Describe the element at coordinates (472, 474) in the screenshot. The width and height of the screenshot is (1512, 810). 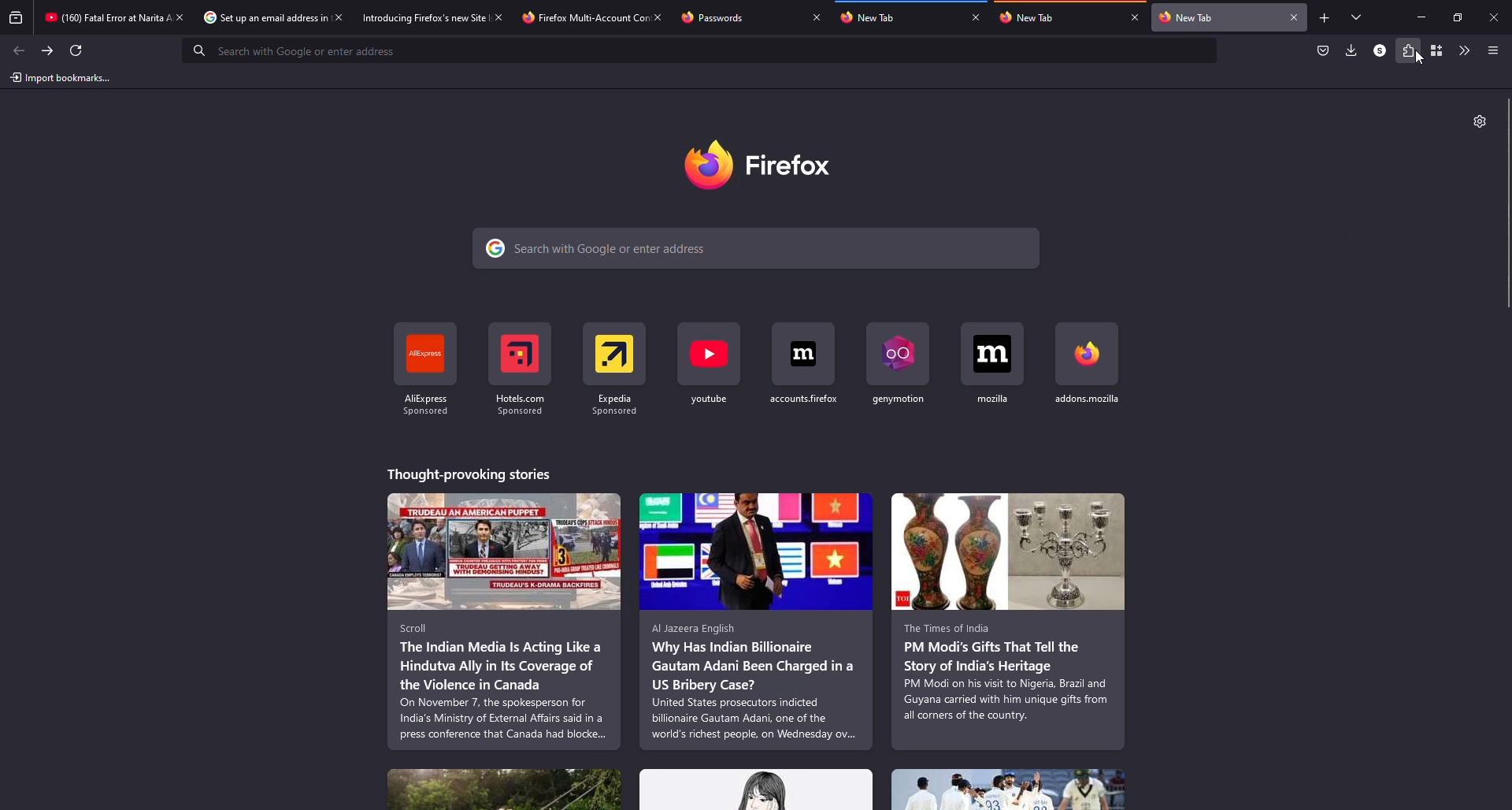
I see `stories` at that location.